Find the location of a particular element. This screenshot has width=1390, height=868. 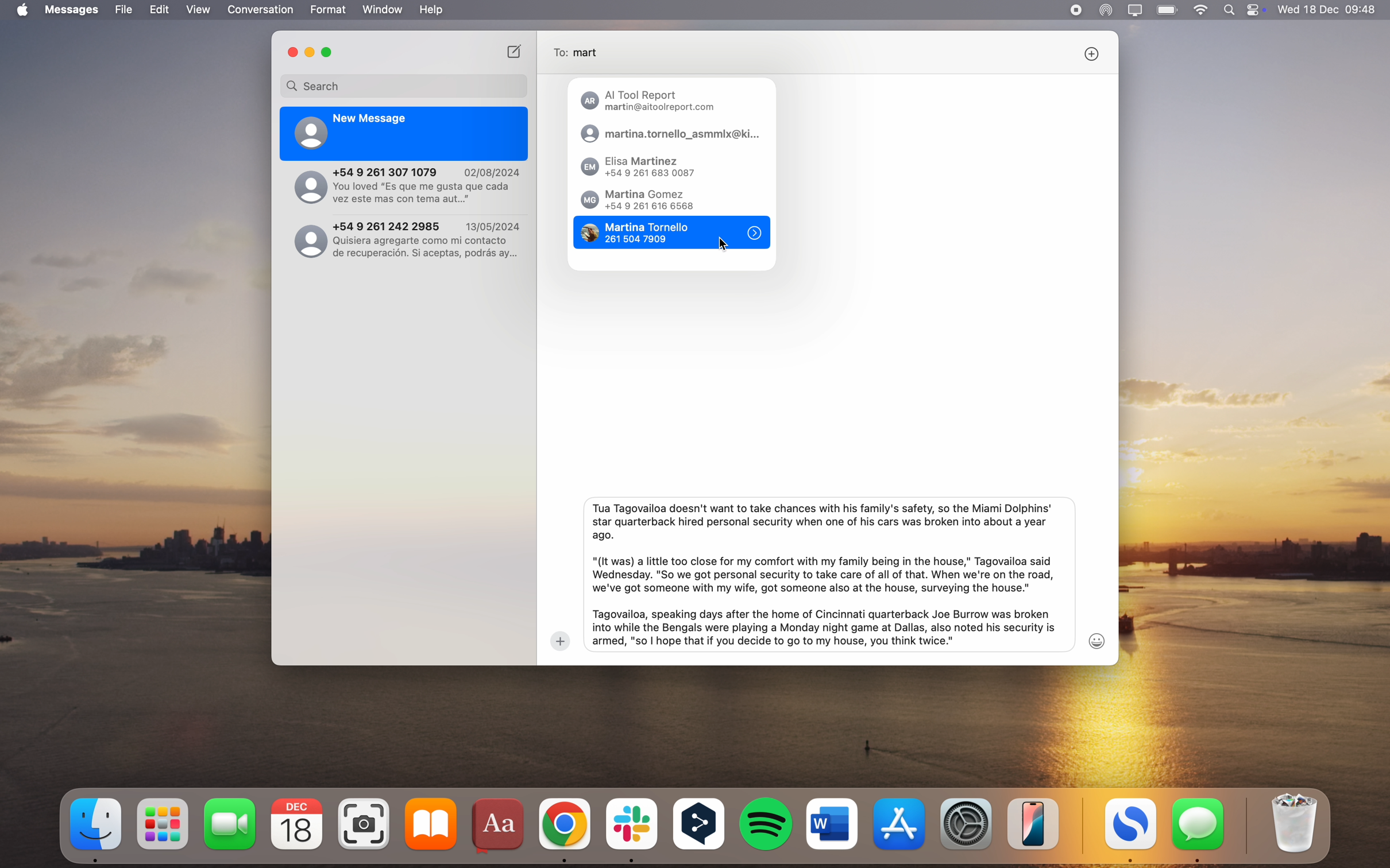

spotlight search is located at coordinates (1232, 10).